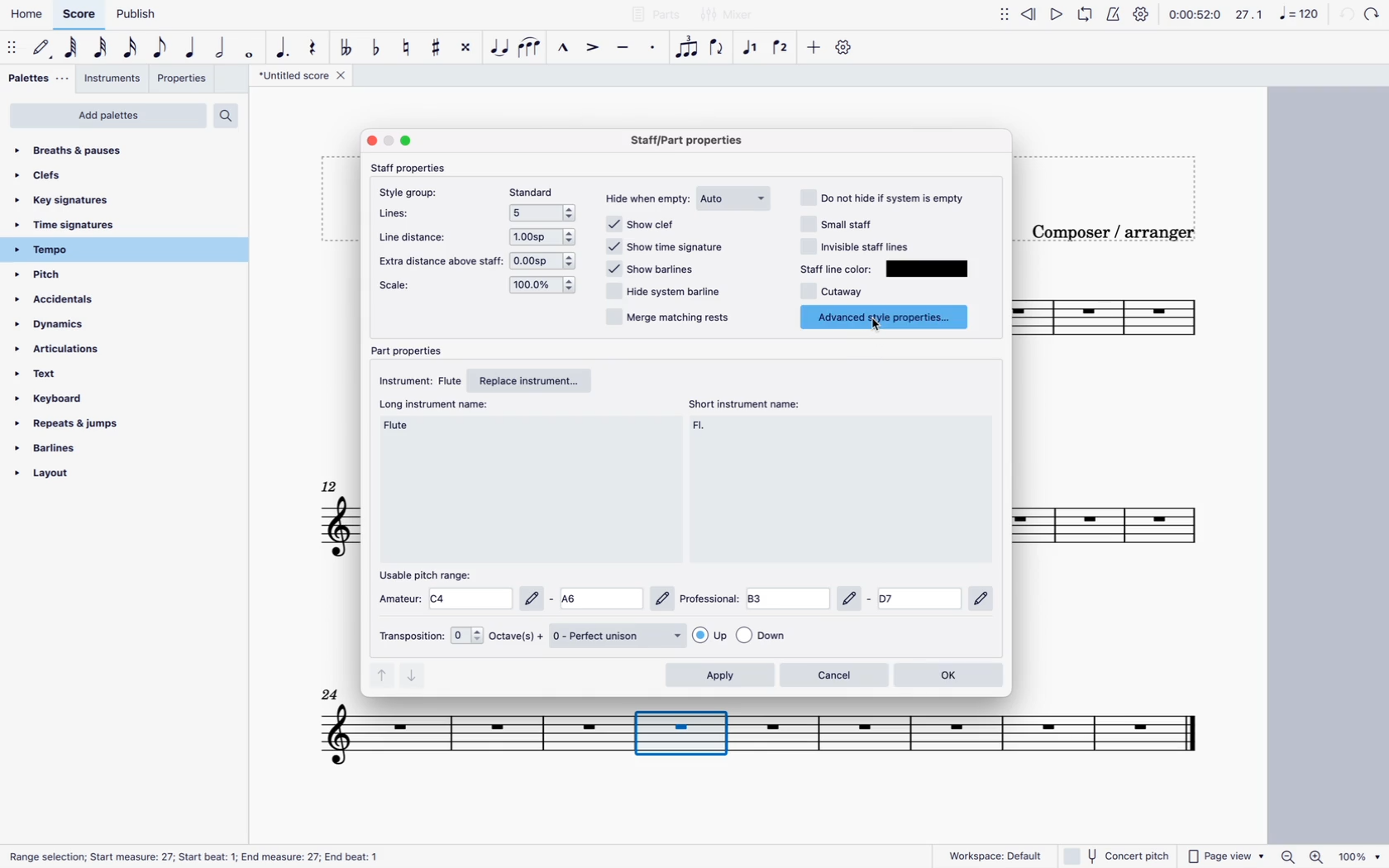  I want to click on scale, so click(1277, 15).